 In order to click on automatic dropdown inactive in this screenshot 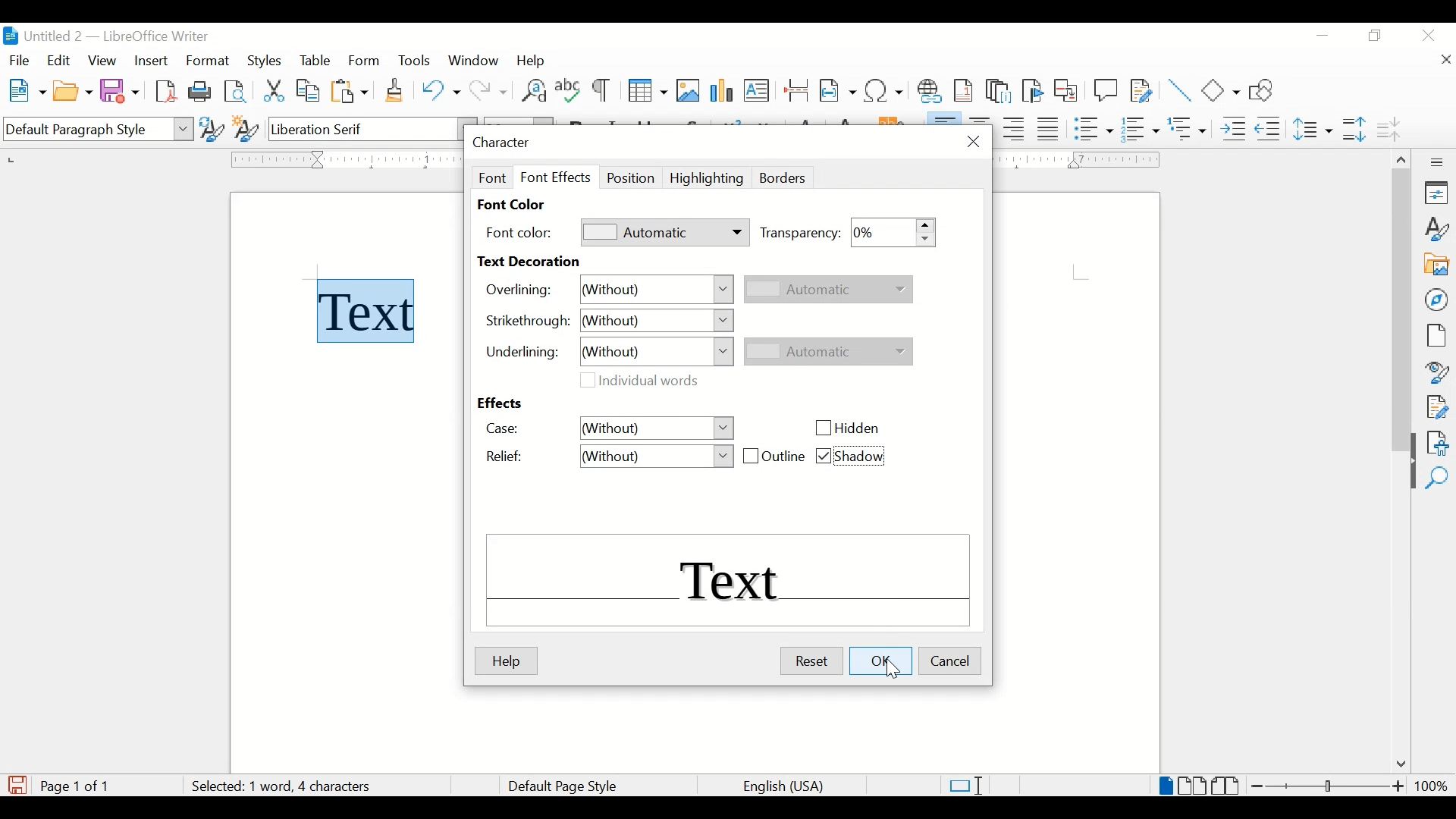, I will do `click(828, 289)`.